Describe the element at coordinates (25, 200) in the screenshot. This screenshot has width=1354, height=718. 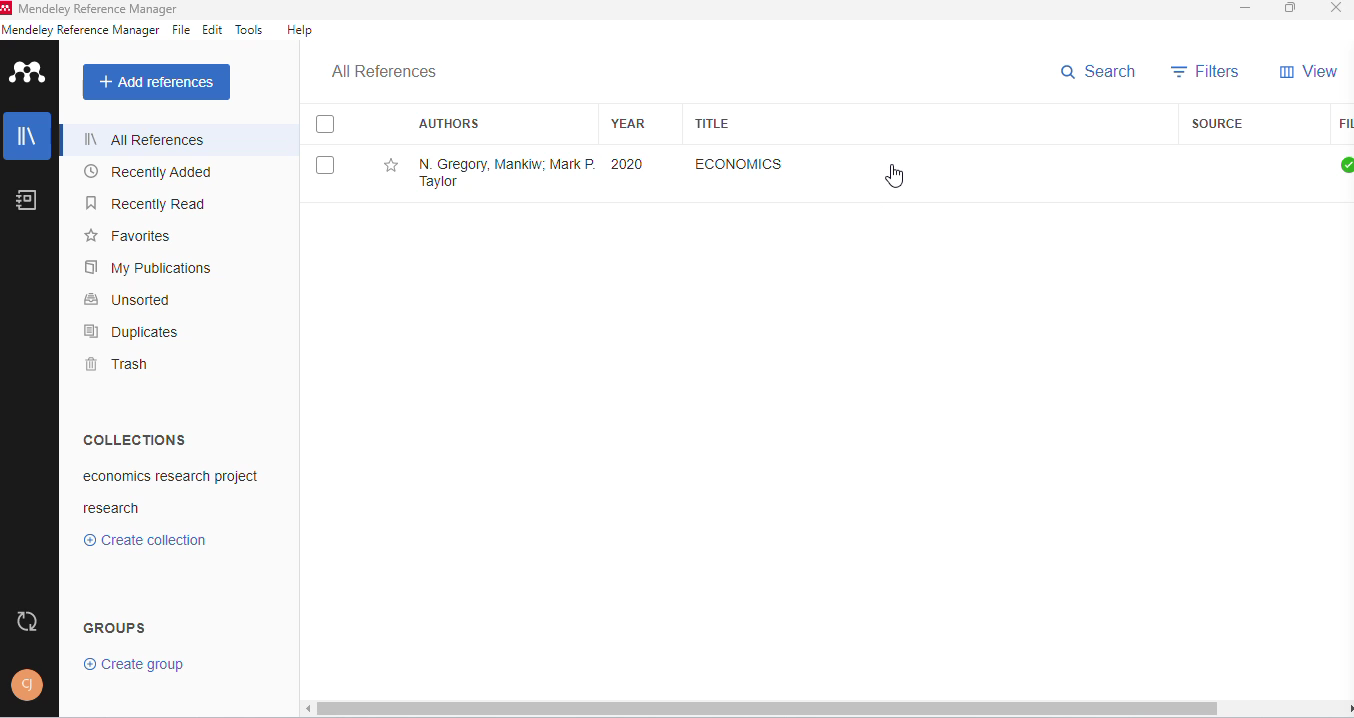
I see `notebook` at that location.